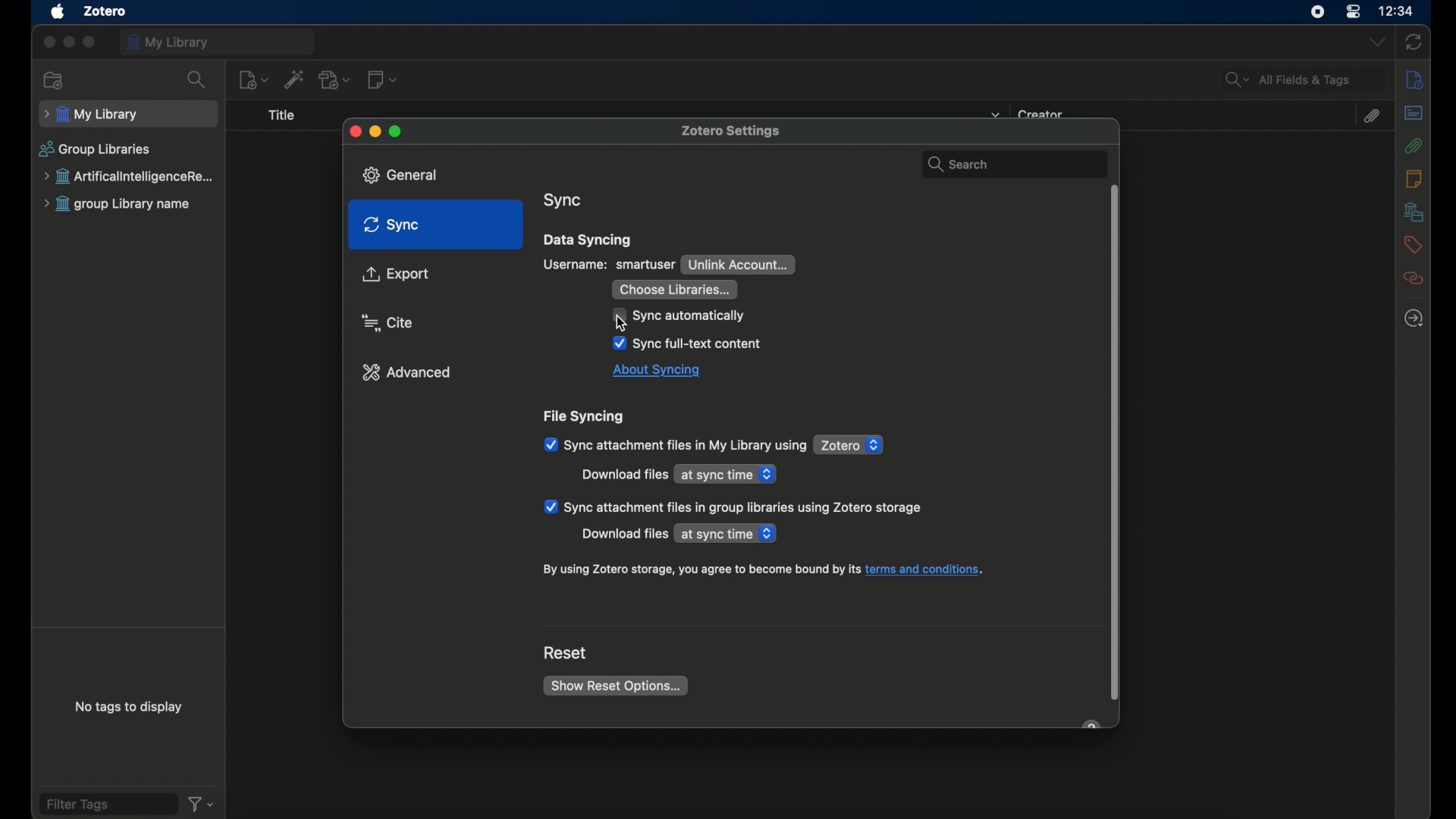 This screenshot has width=1456, height=819. I want to click on close, so click(353, 131).